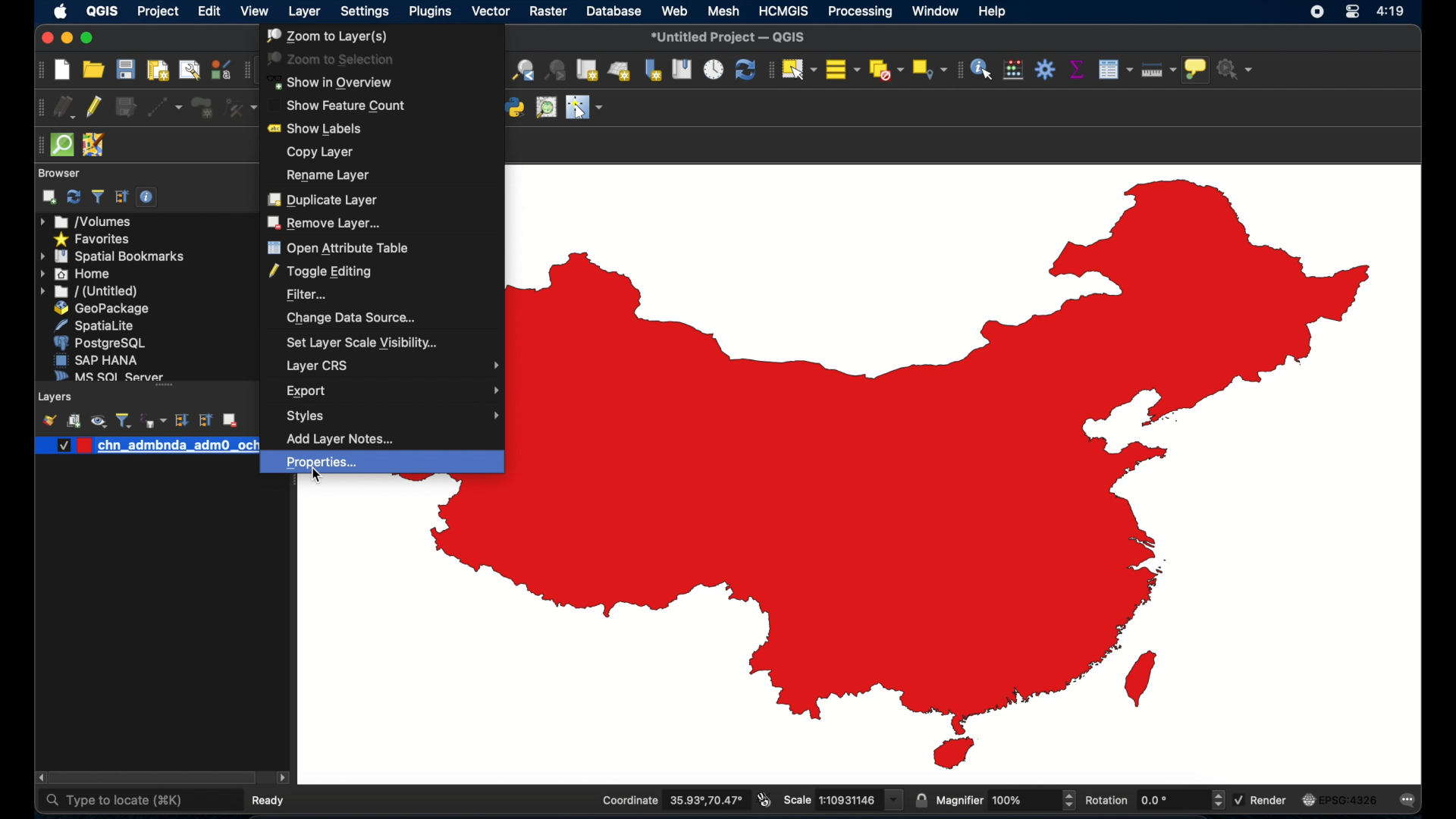 The width and height of the screenshot is (1456, 819). What do you see at coordinates (1196, 71) in the screenshot?
I see `show map tips` at bounding box center [1196, 71].